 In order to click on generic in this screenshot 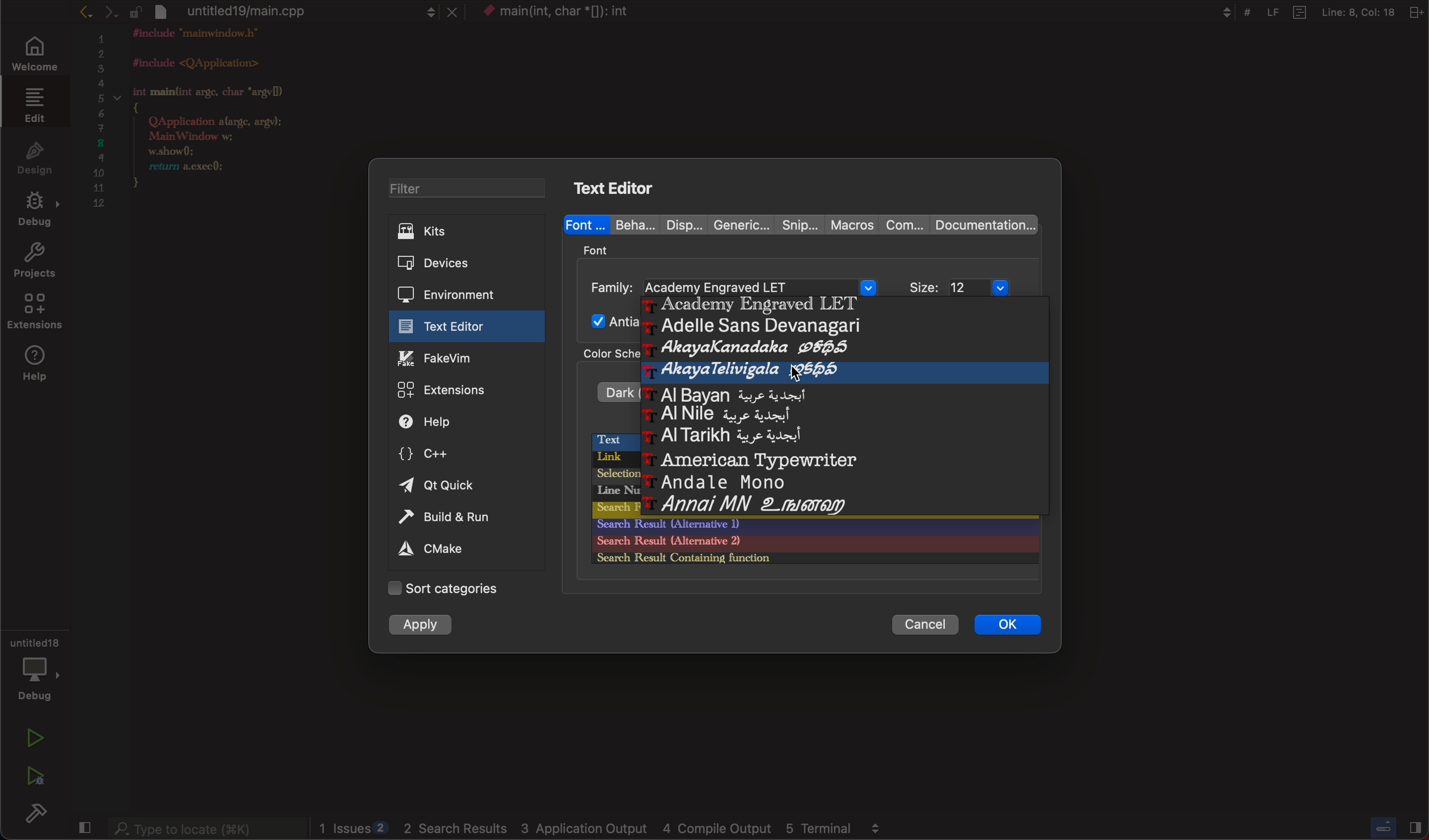, I will do `click(737, 223)`.